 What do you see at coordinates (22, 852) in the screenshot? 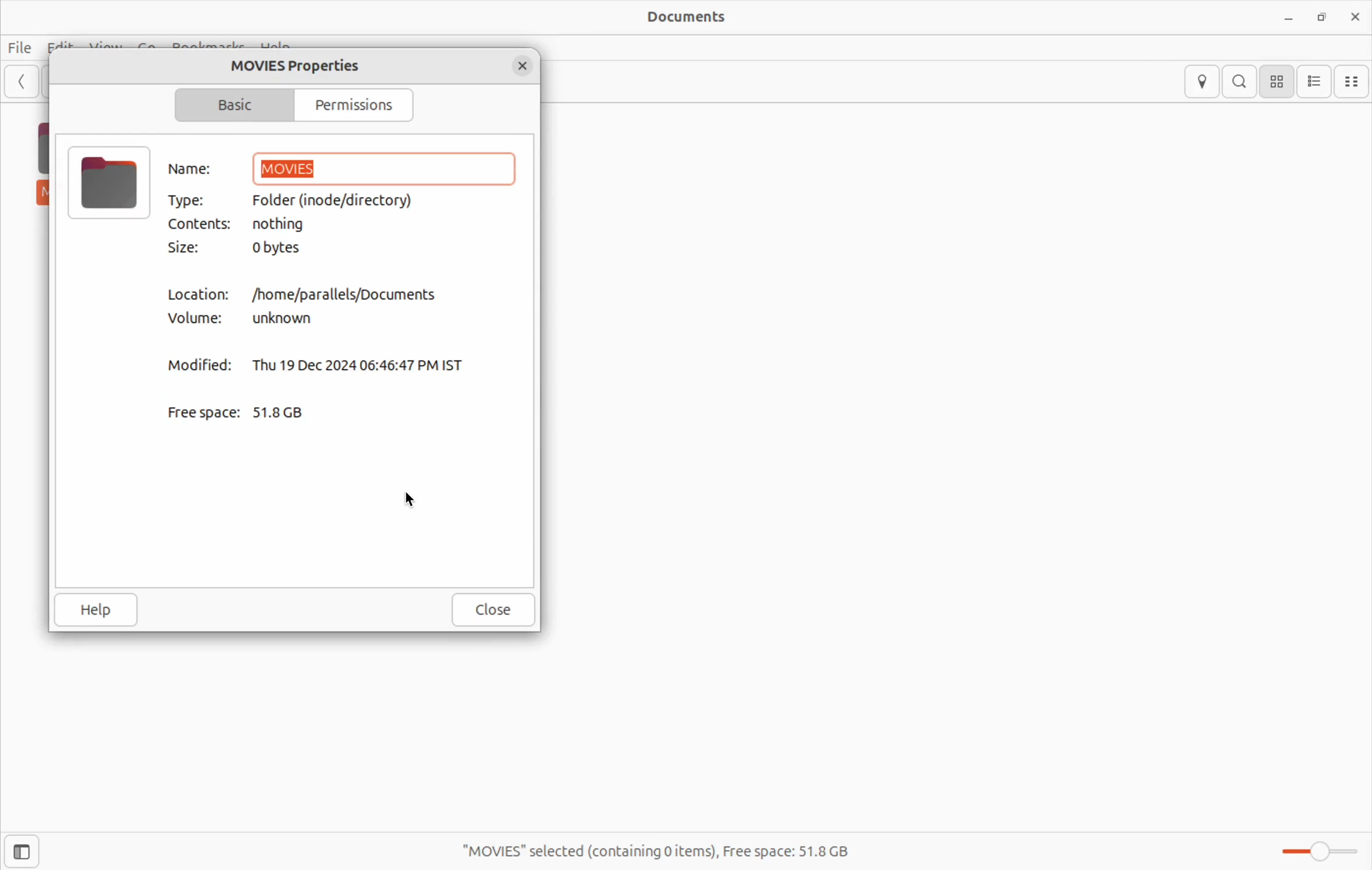
I see `show side bar` at bounding box center [22, 852].